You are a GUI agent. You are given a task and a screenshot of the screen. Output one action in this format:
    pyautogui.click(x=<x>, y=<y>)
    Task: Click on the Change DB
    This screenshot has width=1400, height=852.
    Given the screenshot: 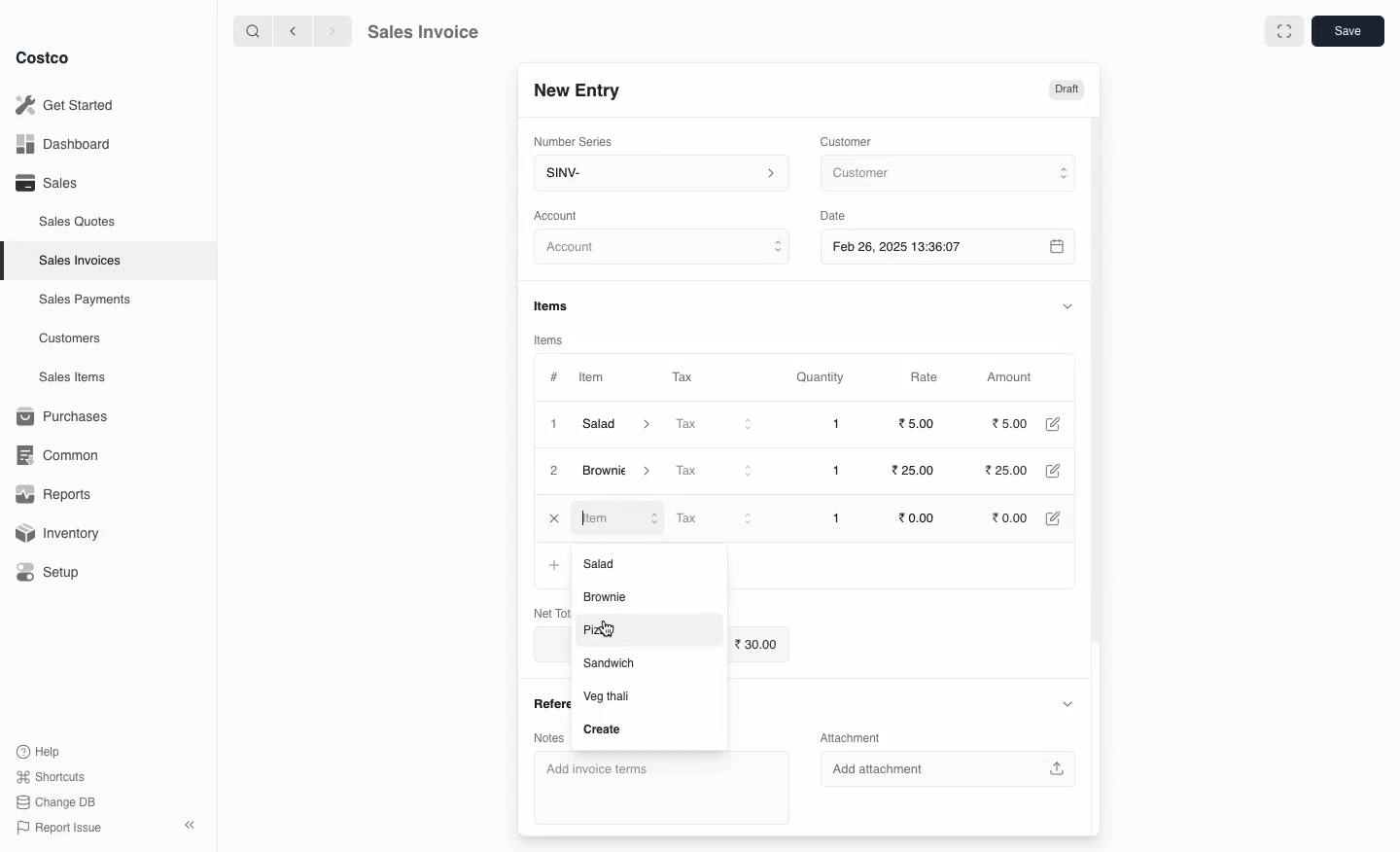 What is the action you would take?
    pyautogui.click(x=52, y=800)
    